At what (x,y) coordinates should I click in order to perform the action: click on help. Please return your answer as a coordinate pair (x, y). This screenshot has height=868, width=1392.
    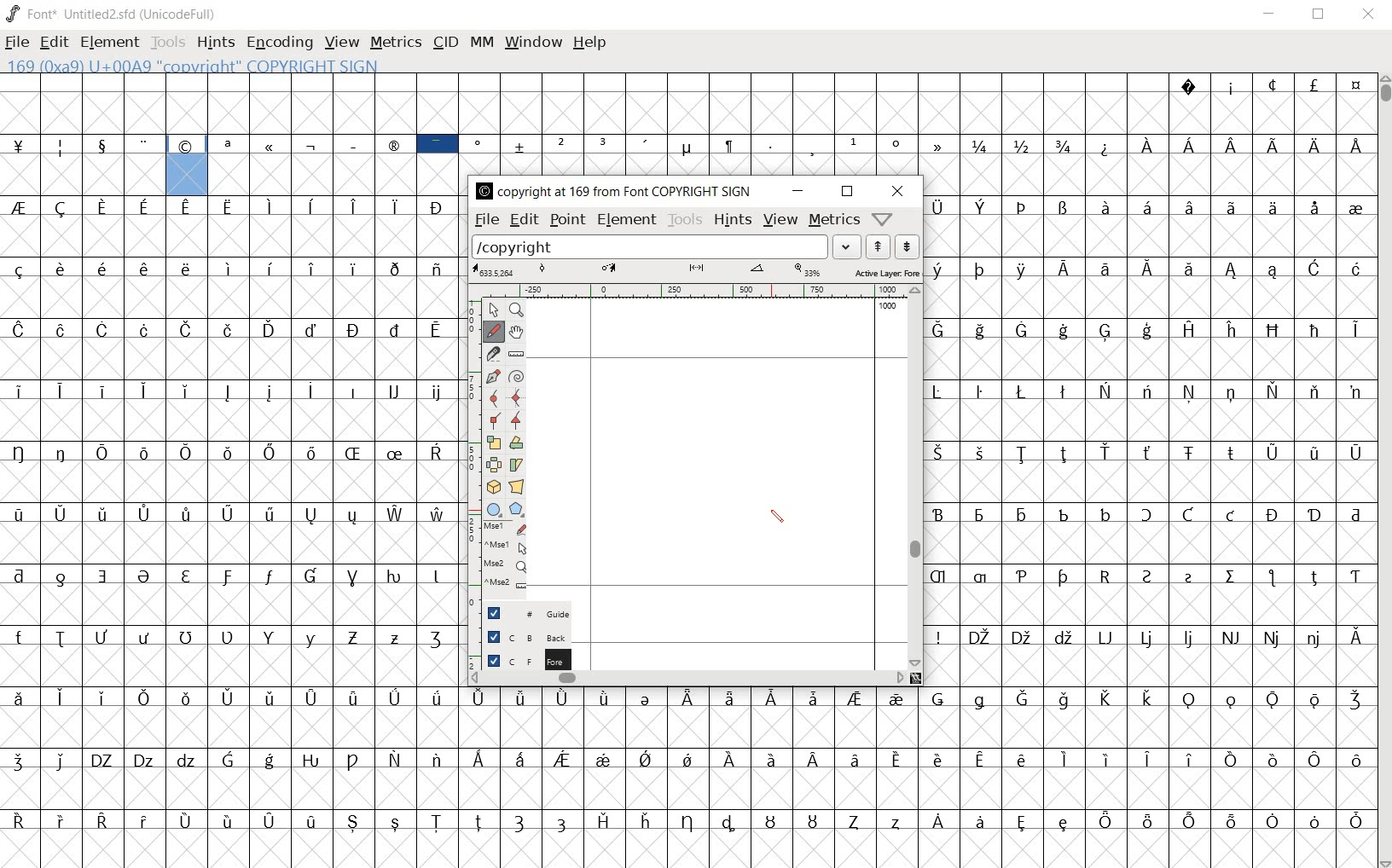
    Looking at the image, I should click on (589, 43).